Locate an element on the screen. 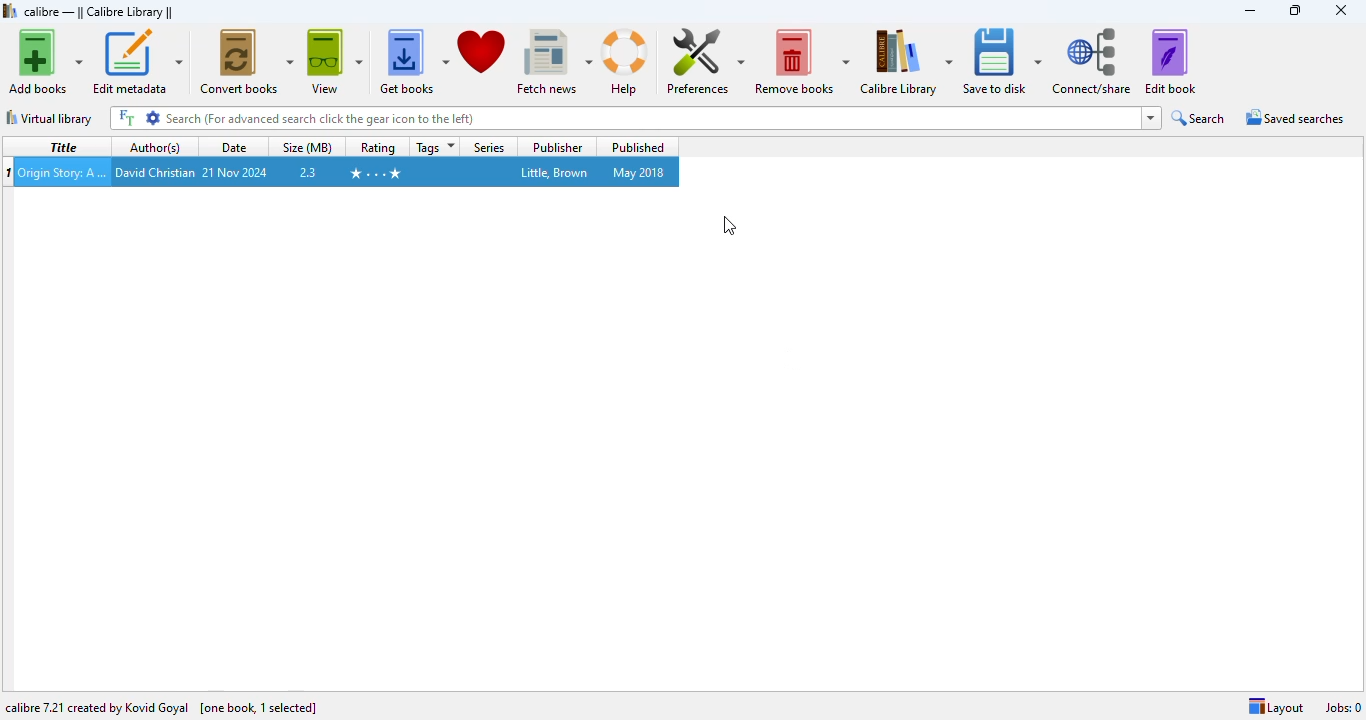  jobs: 0 is located at coordinates (1345, 708).